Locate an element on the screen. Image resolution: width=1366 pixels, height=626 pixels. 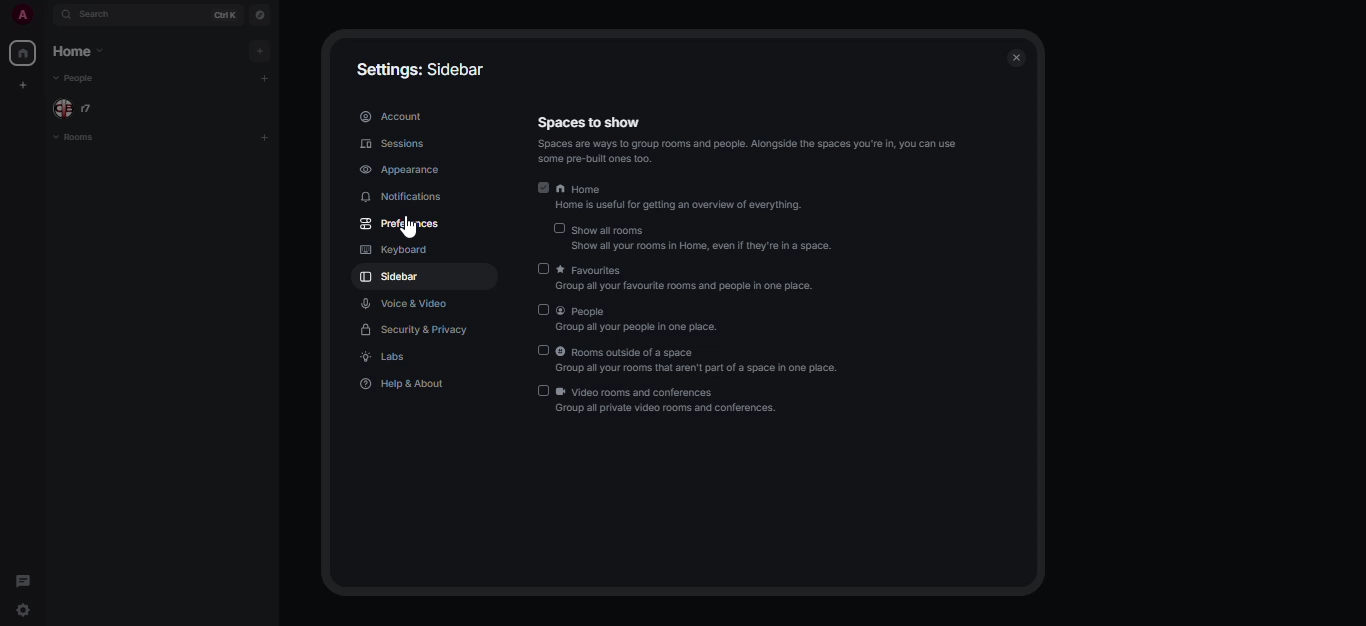
threads is located at coordinates (24, 579).